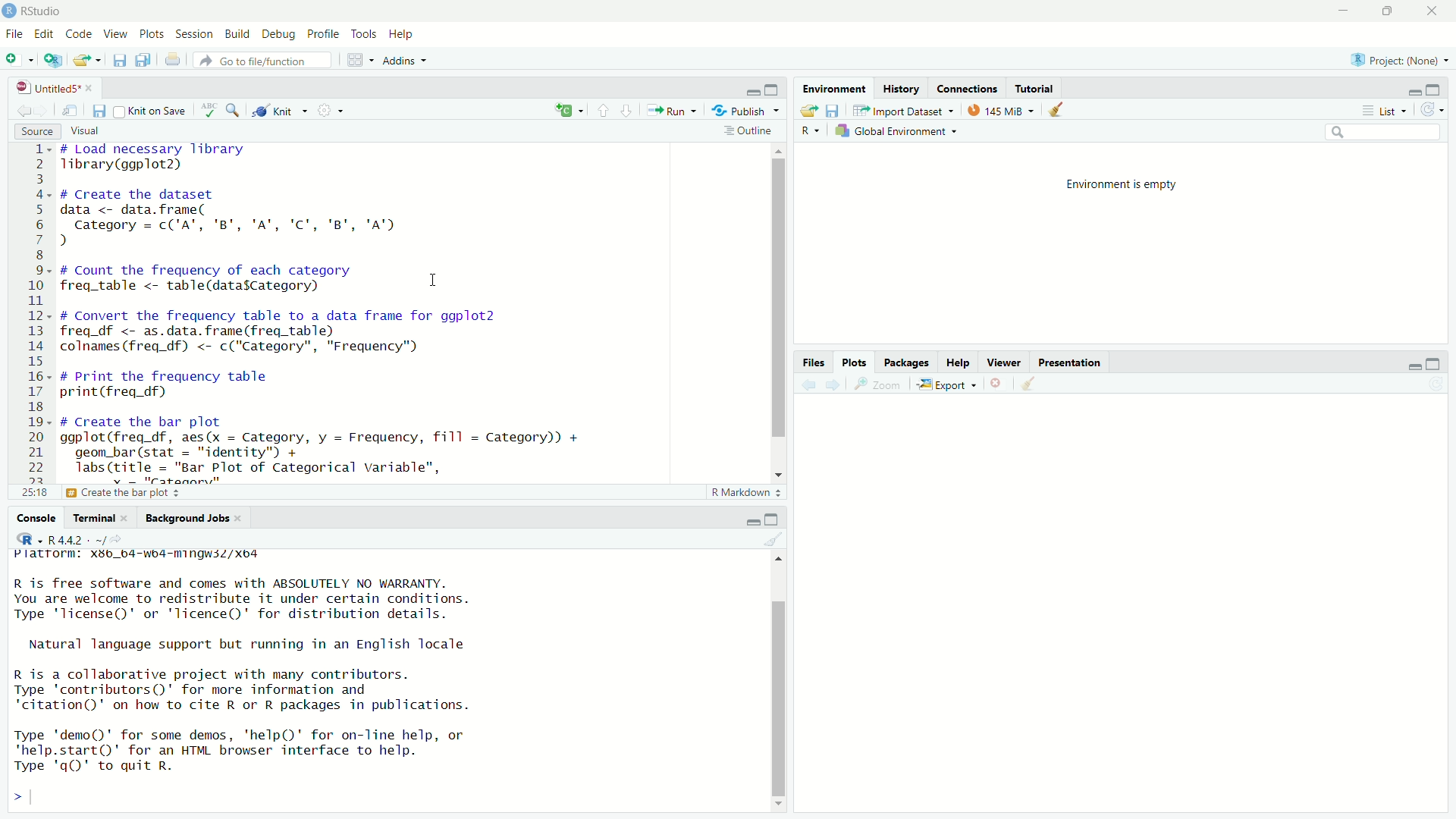  What do you see at coordinates (278, 36) in the screenshot?
I see `debug` at bounding box center [278, 36].